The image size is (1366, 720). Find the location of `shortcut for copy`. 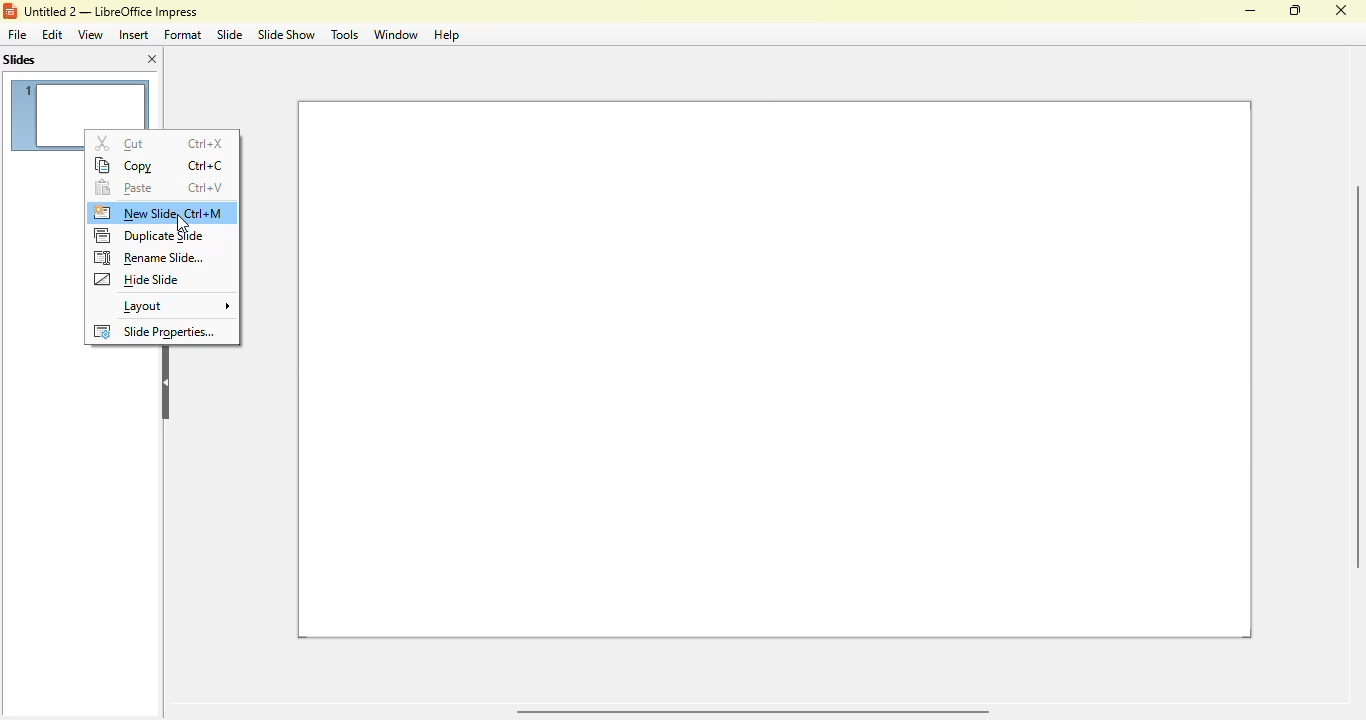

shortcut for copy is located at coordinates (205, 165).